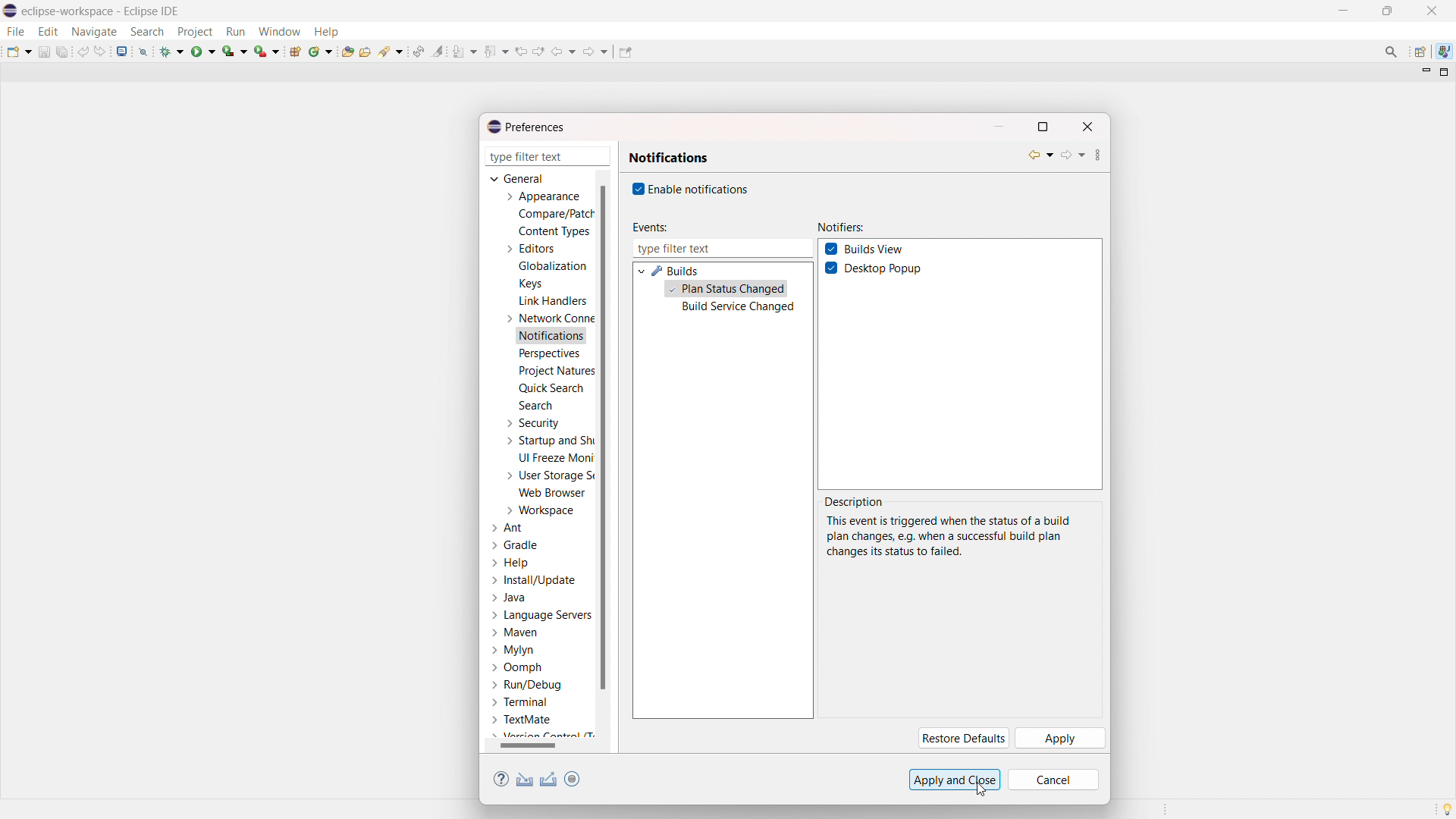  I want to click on undo, so click(83, 52).